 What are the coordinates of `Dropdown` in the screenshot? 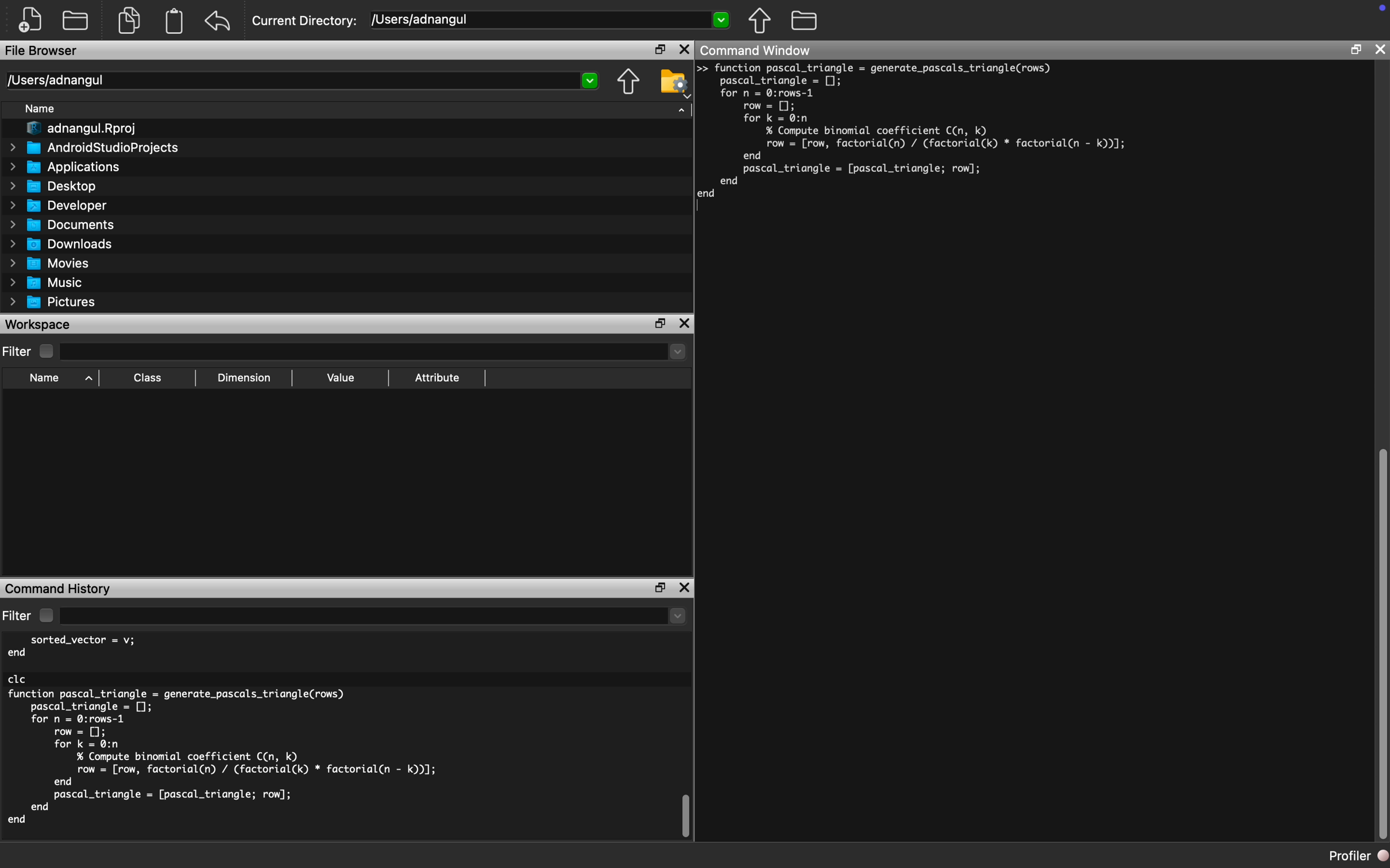 It's located at (373, 617).